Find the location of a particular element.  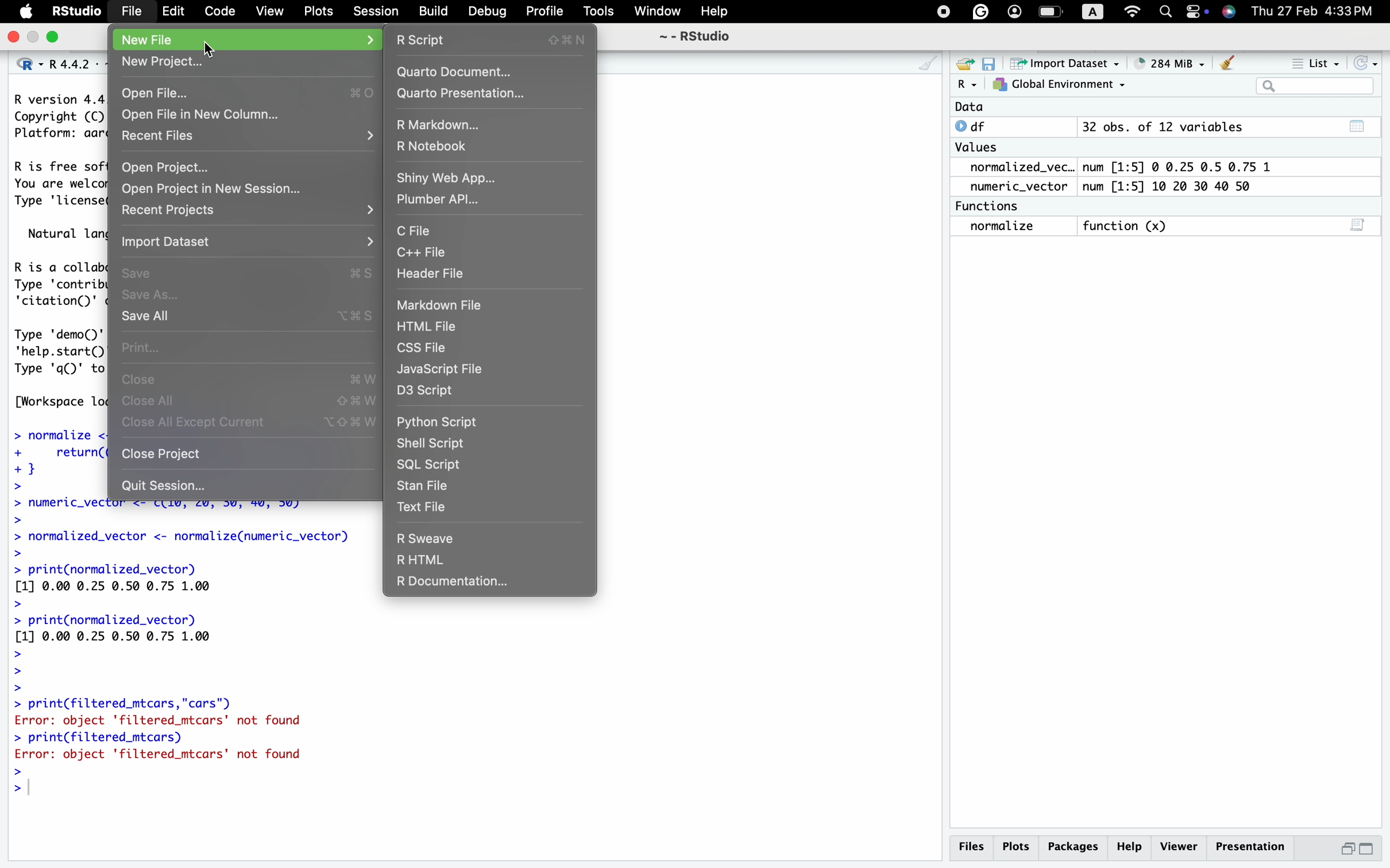

0 df is located at coordinates (976, 126).